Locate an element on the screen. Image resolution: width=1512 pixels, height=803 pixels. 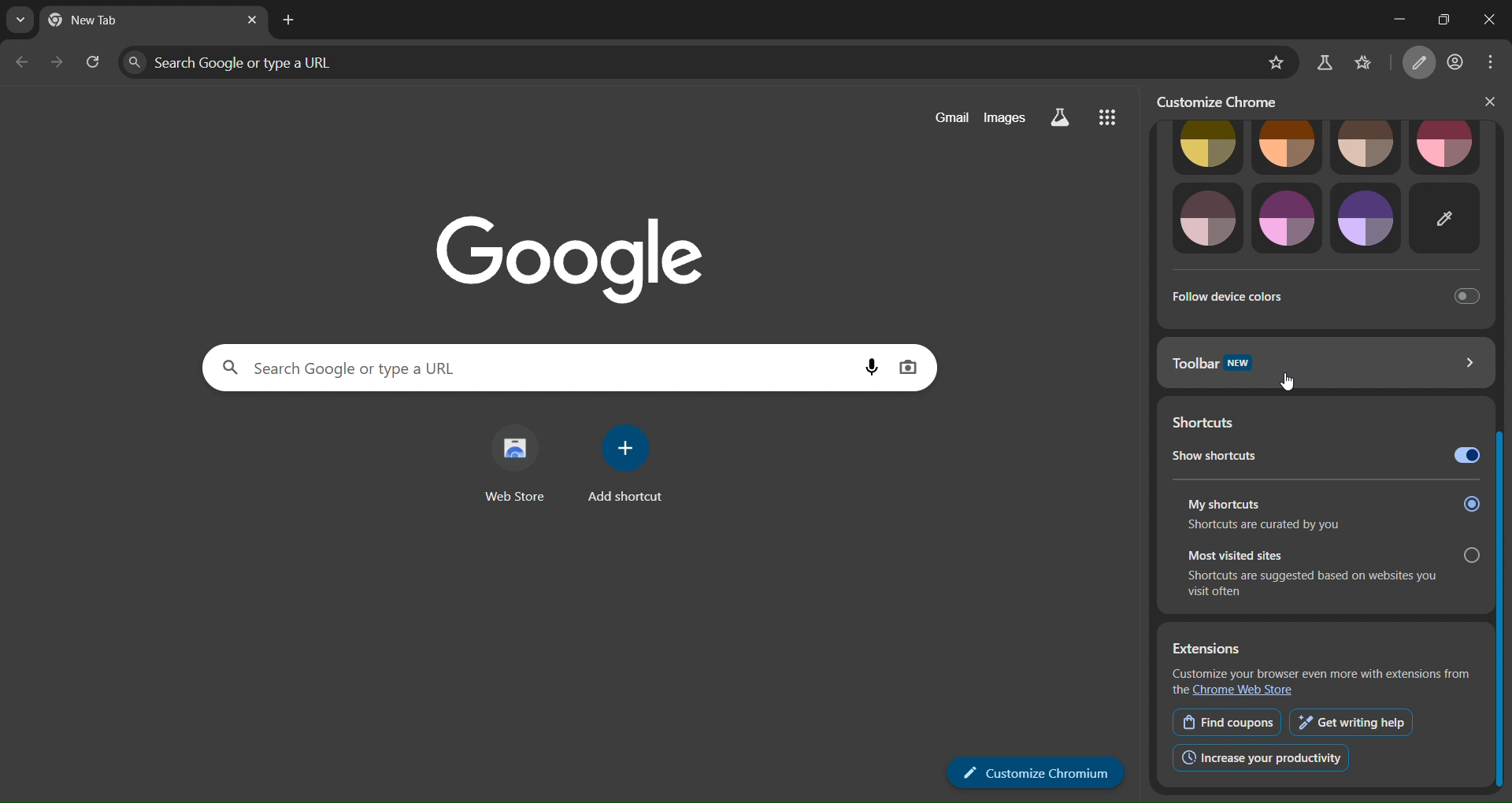
image search is located at coordinates (918, 364).